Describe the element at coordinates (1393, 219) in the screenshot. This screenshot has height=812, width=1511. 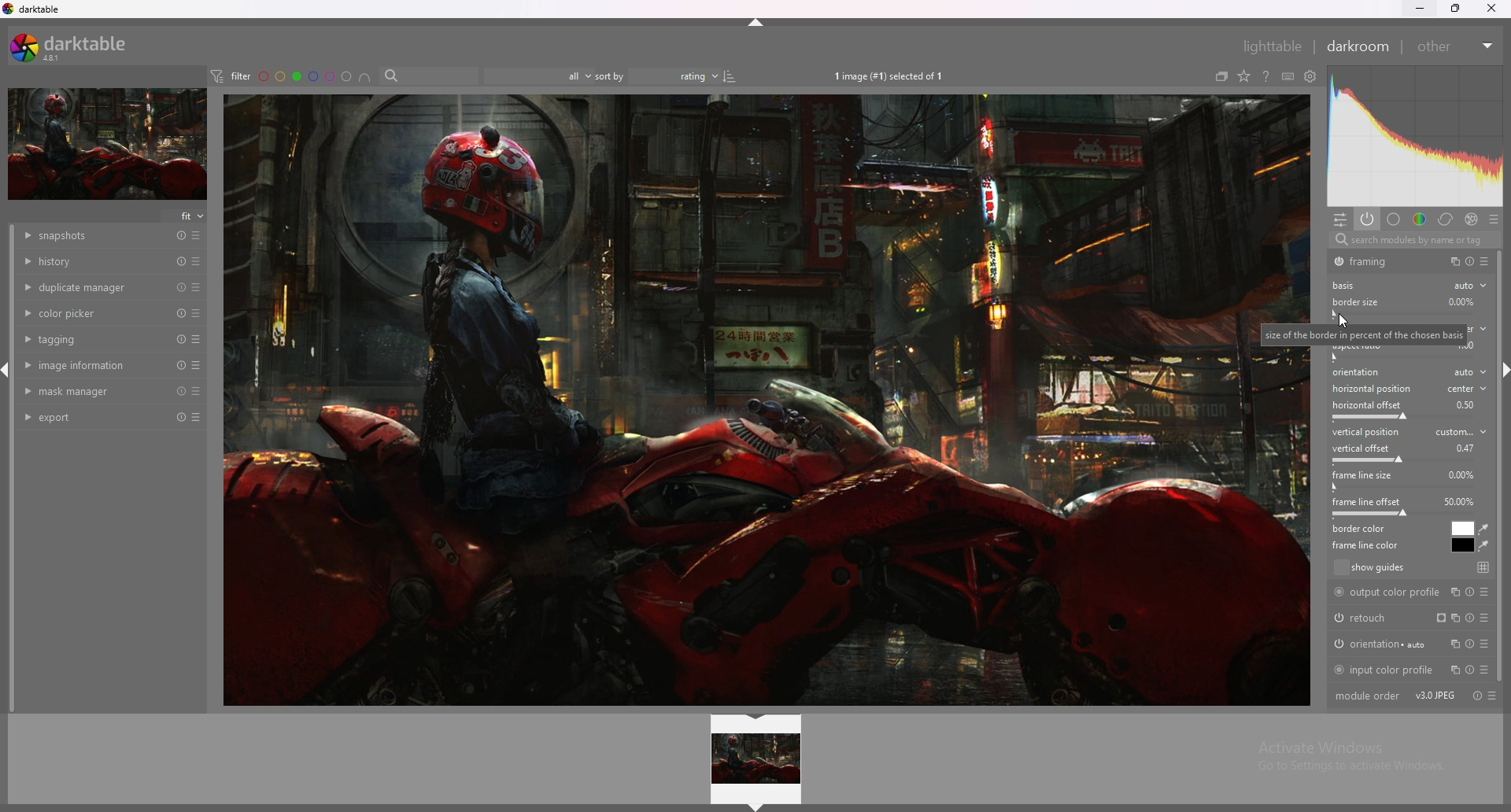
I see `base` at that location.